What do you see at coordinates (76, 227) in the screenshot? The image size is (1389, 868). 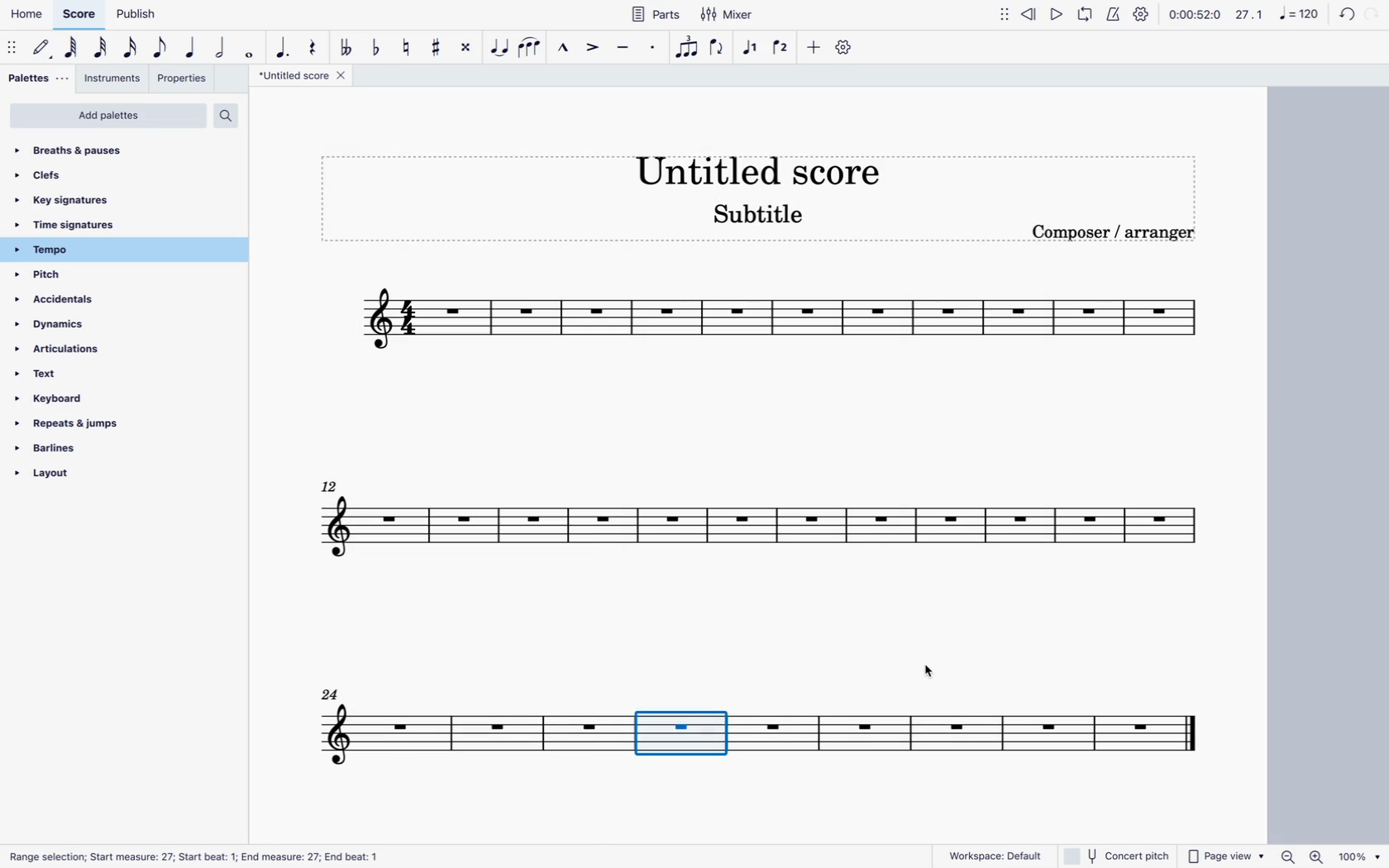 I see `time signatures` at bounding box center [76, 227].